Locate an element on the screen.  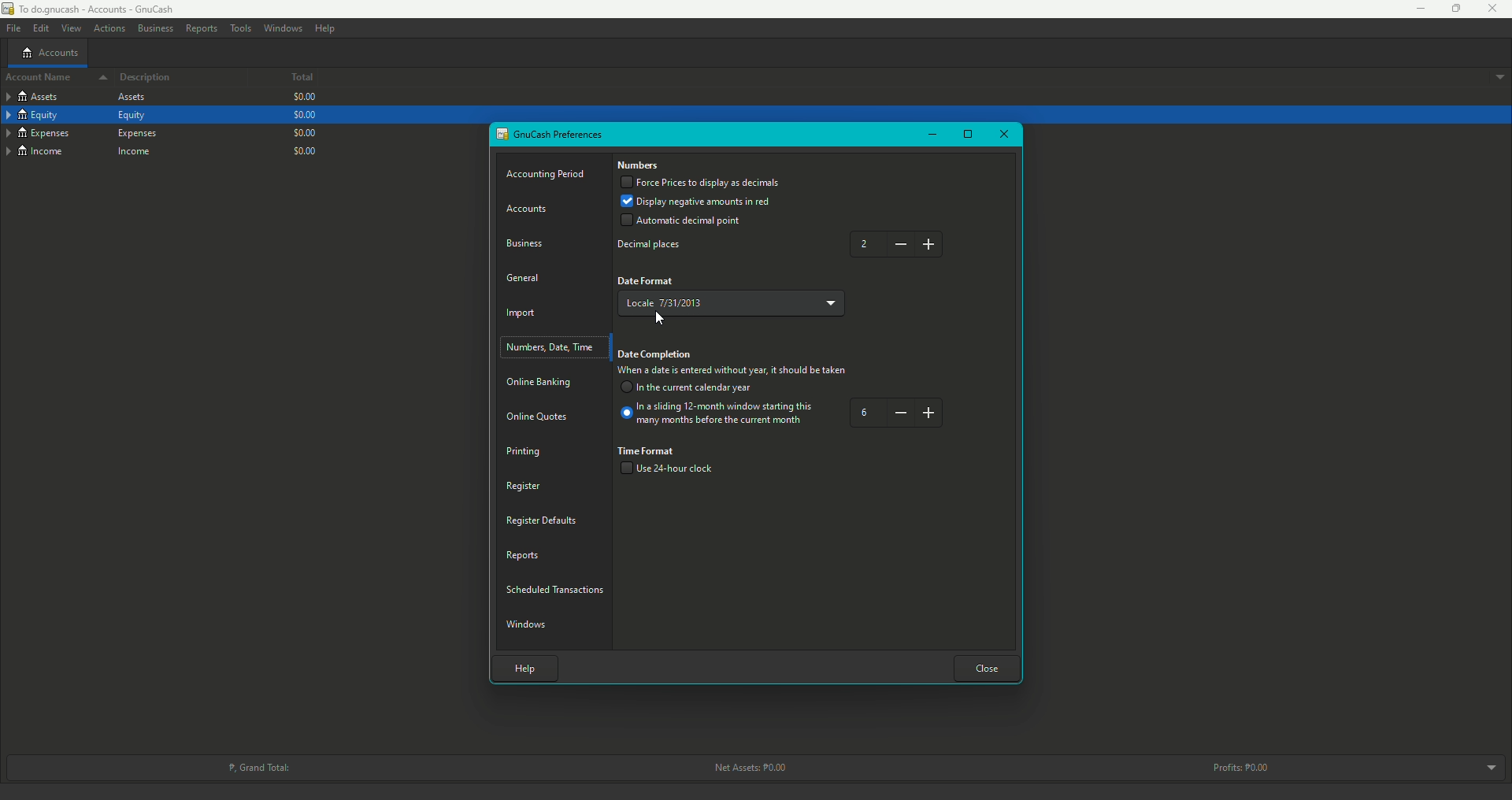
Numbers, Date, Time is located at coordinates (553, 347).